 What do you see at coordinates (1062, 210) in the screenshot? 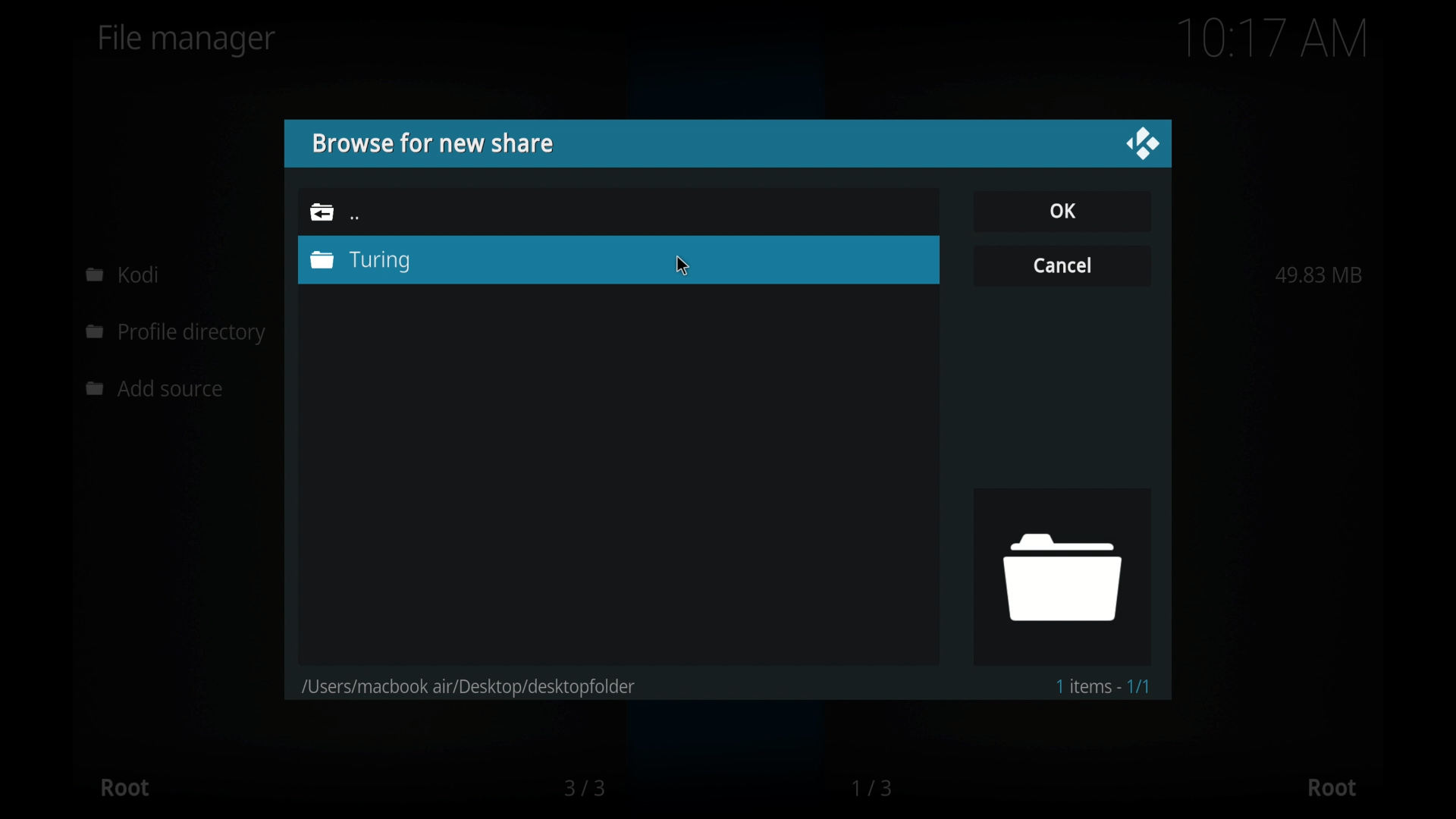
I see `ok` at bounding box center [1062, 210].